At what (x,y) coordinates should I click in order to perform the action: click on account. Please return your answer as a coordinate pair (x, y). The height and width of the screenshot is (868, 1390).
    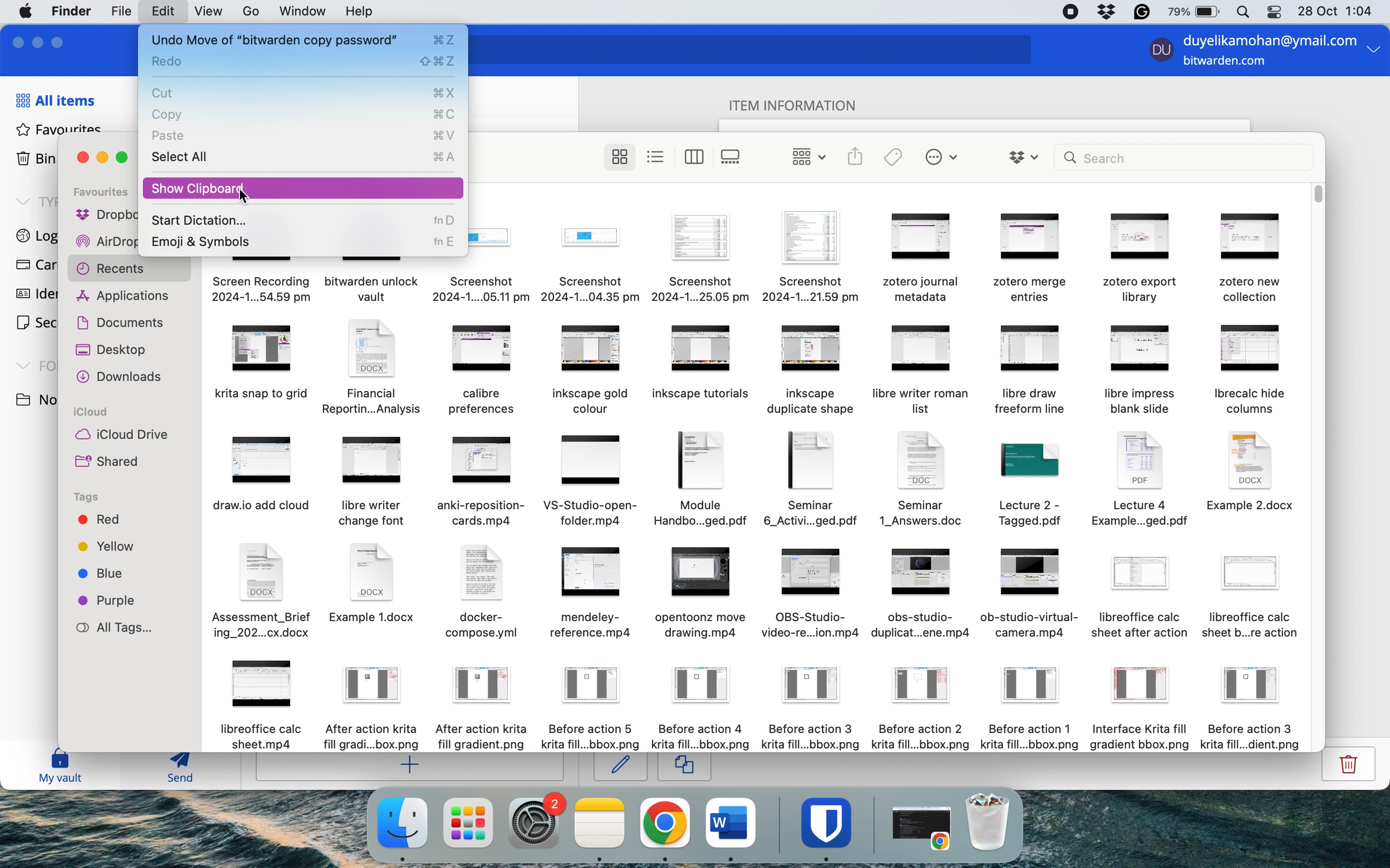
    Looking at the image, I should click on (249, 11).